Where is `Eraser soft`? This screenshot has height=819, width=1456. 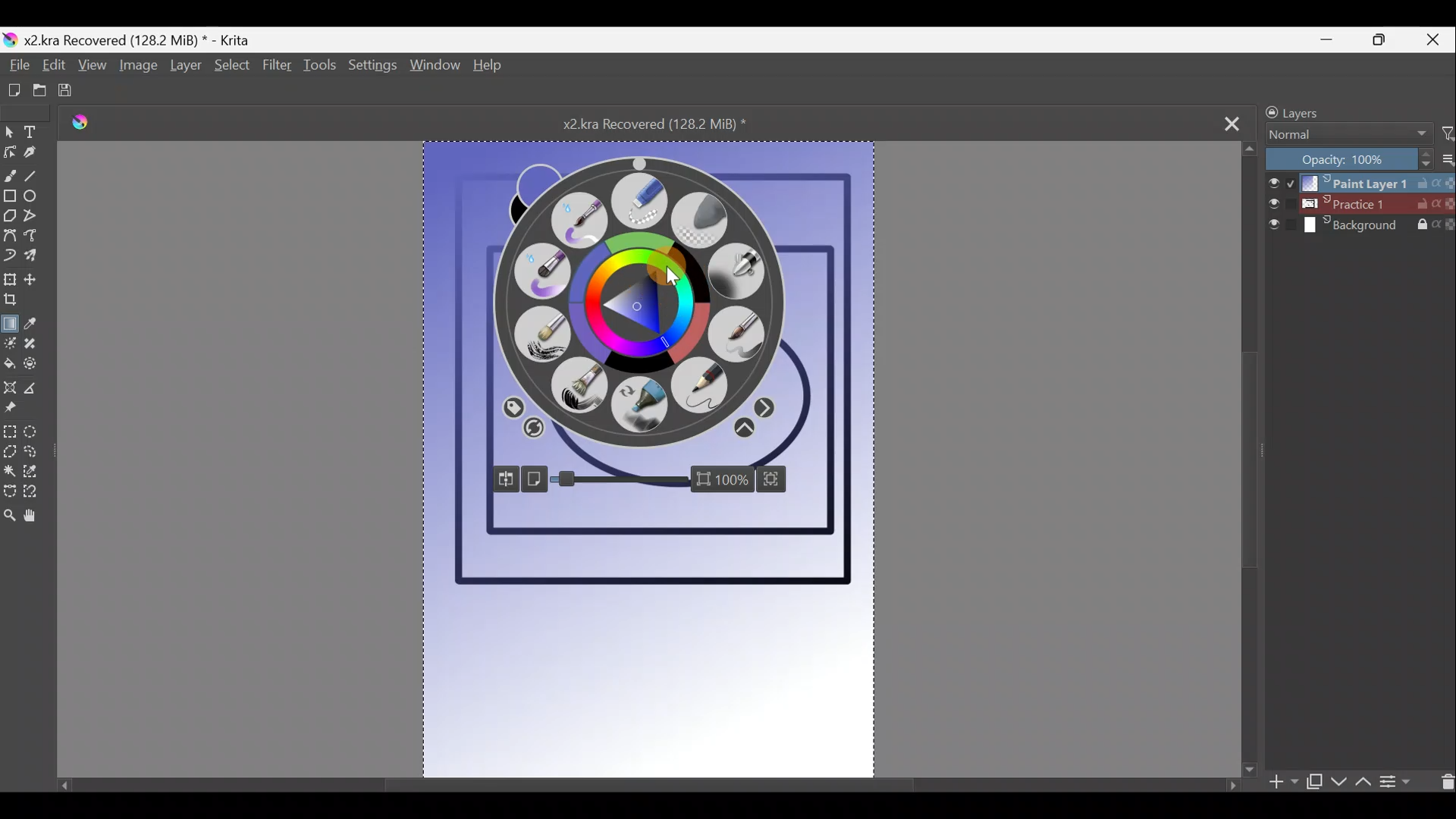
Eraser soft is located at coordinates (707, 218).